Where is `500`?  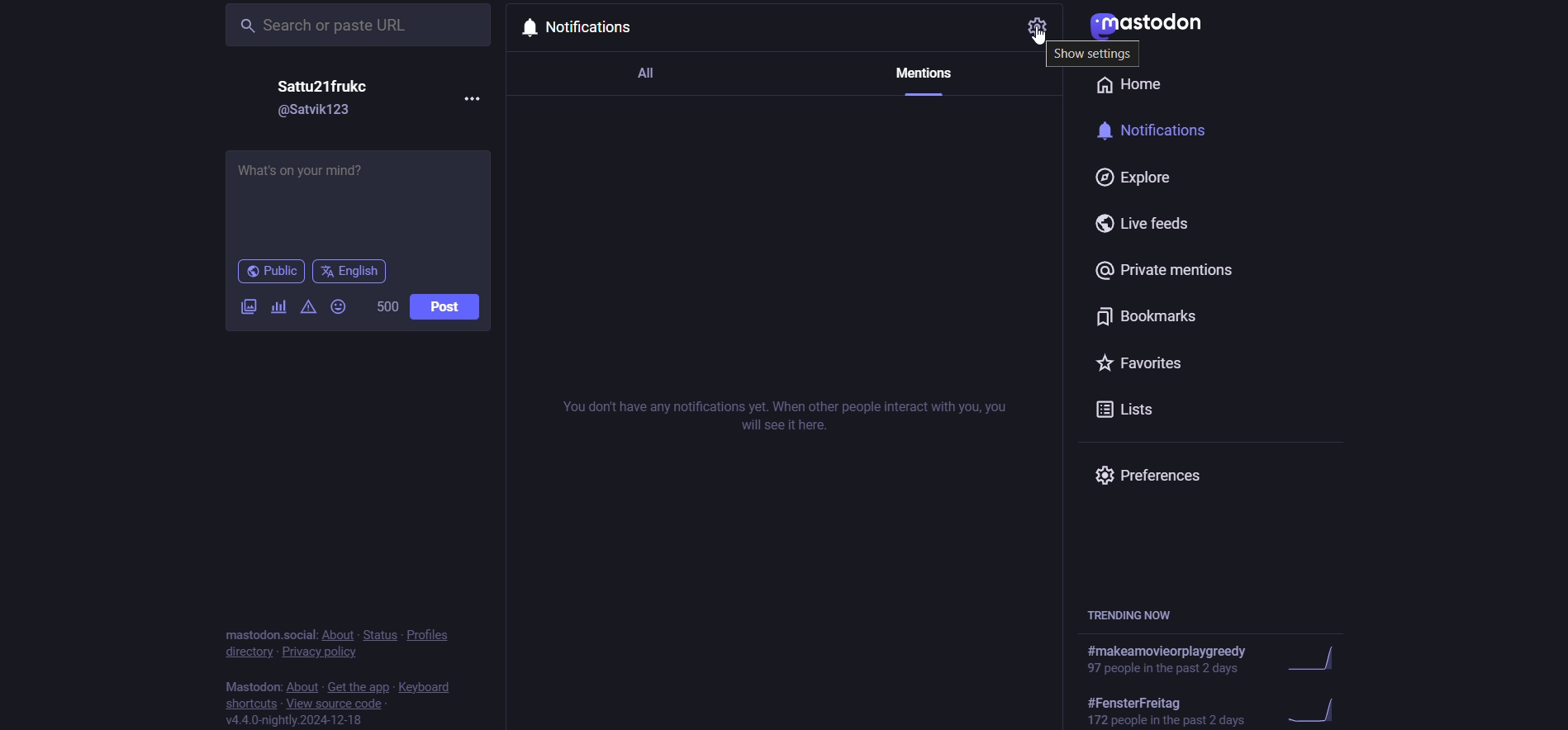
500 is located at coordinates (388, 305).